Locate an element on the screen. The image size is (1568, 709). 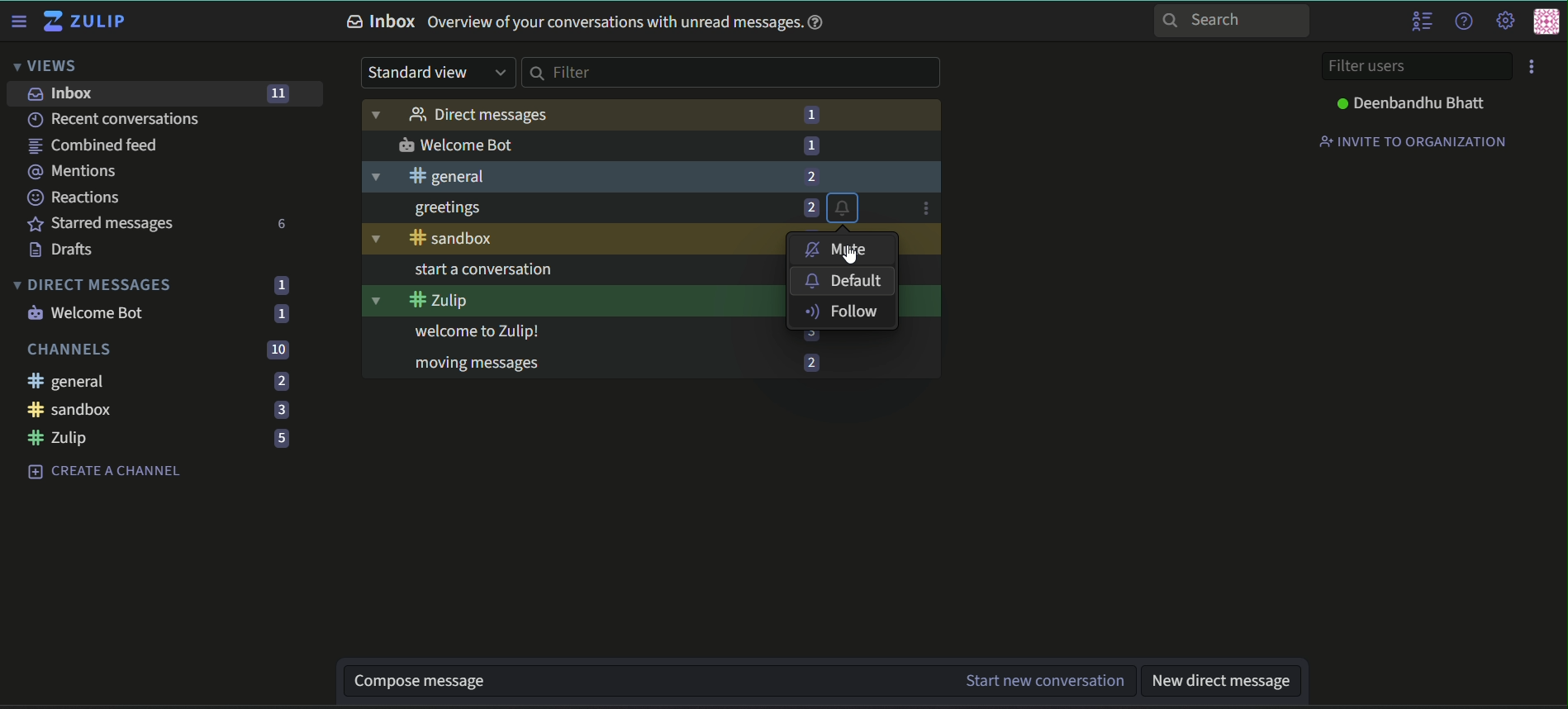
combined feed is located at coordinates (93, 145).